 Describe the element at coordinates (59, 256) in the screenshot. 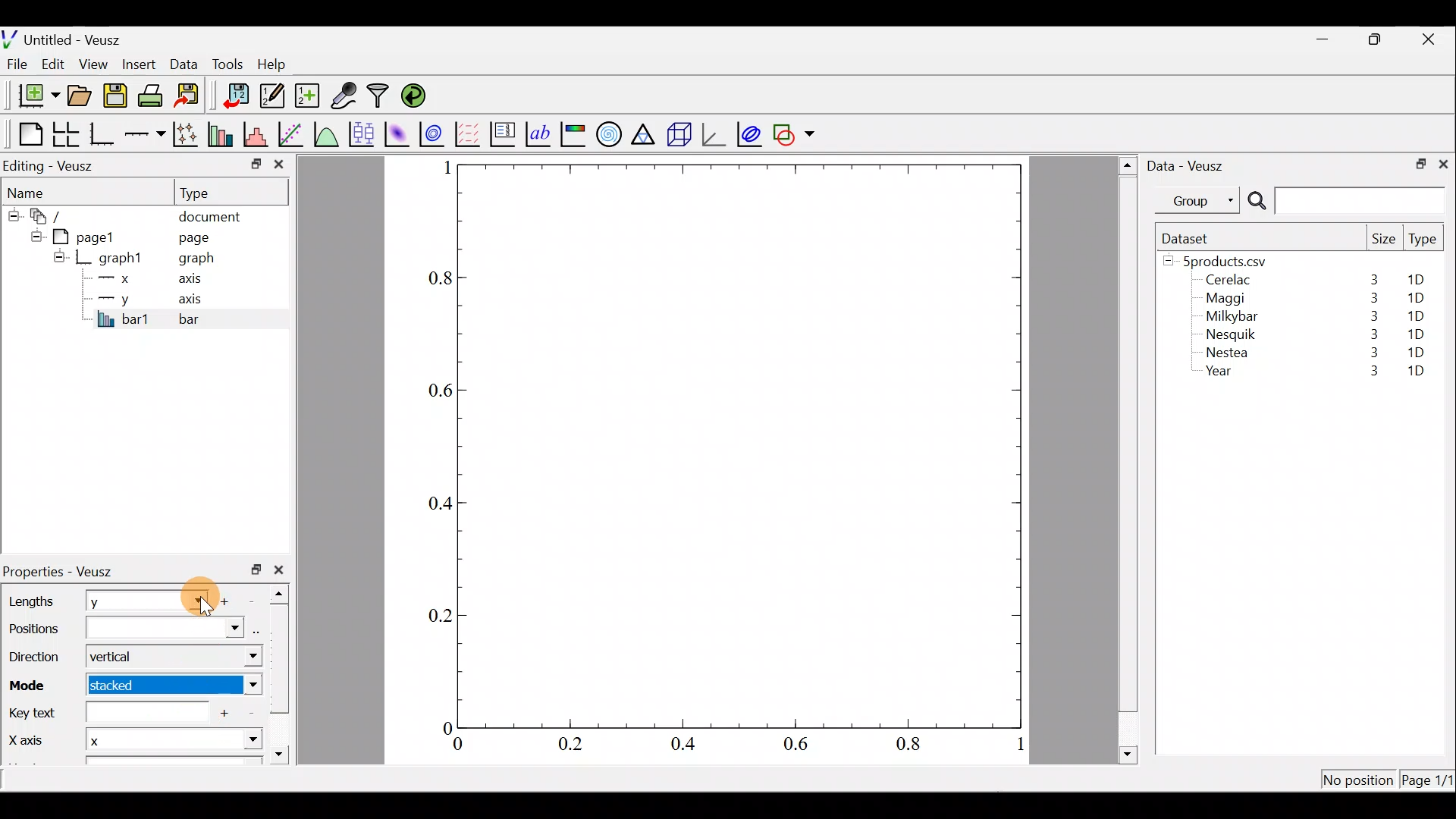

I see `hide` at that location.